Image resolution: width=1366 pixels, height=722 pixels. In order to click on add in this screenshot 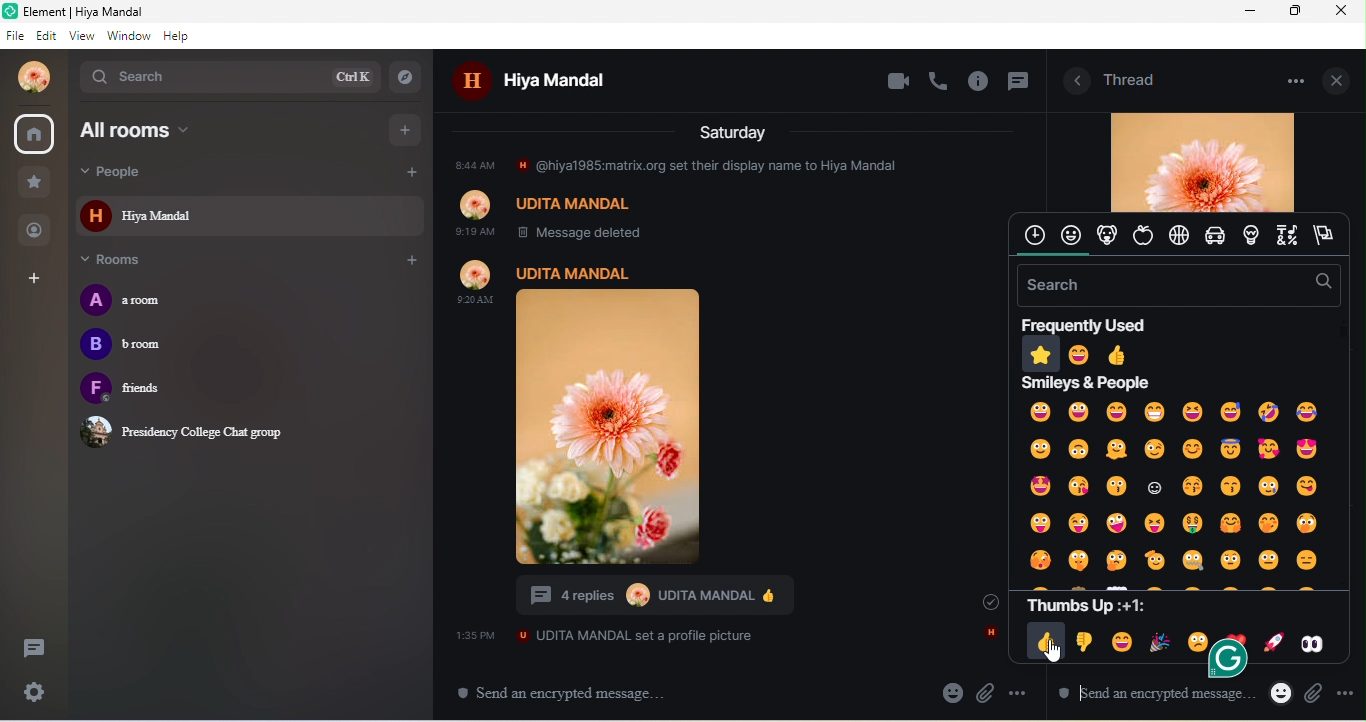, I will do `click(407, 128)`.